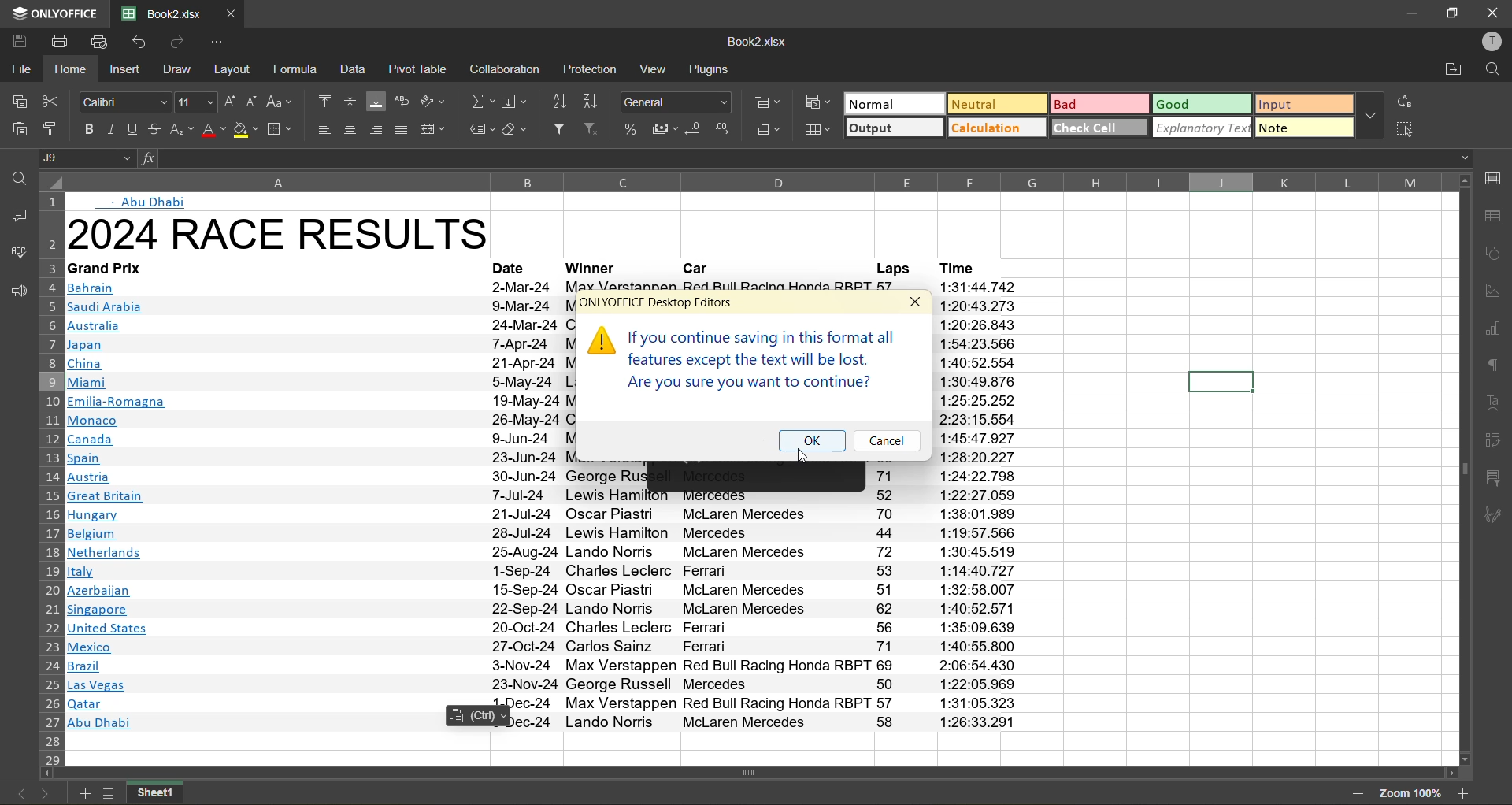  I want to click on summation, so click(480, 102).